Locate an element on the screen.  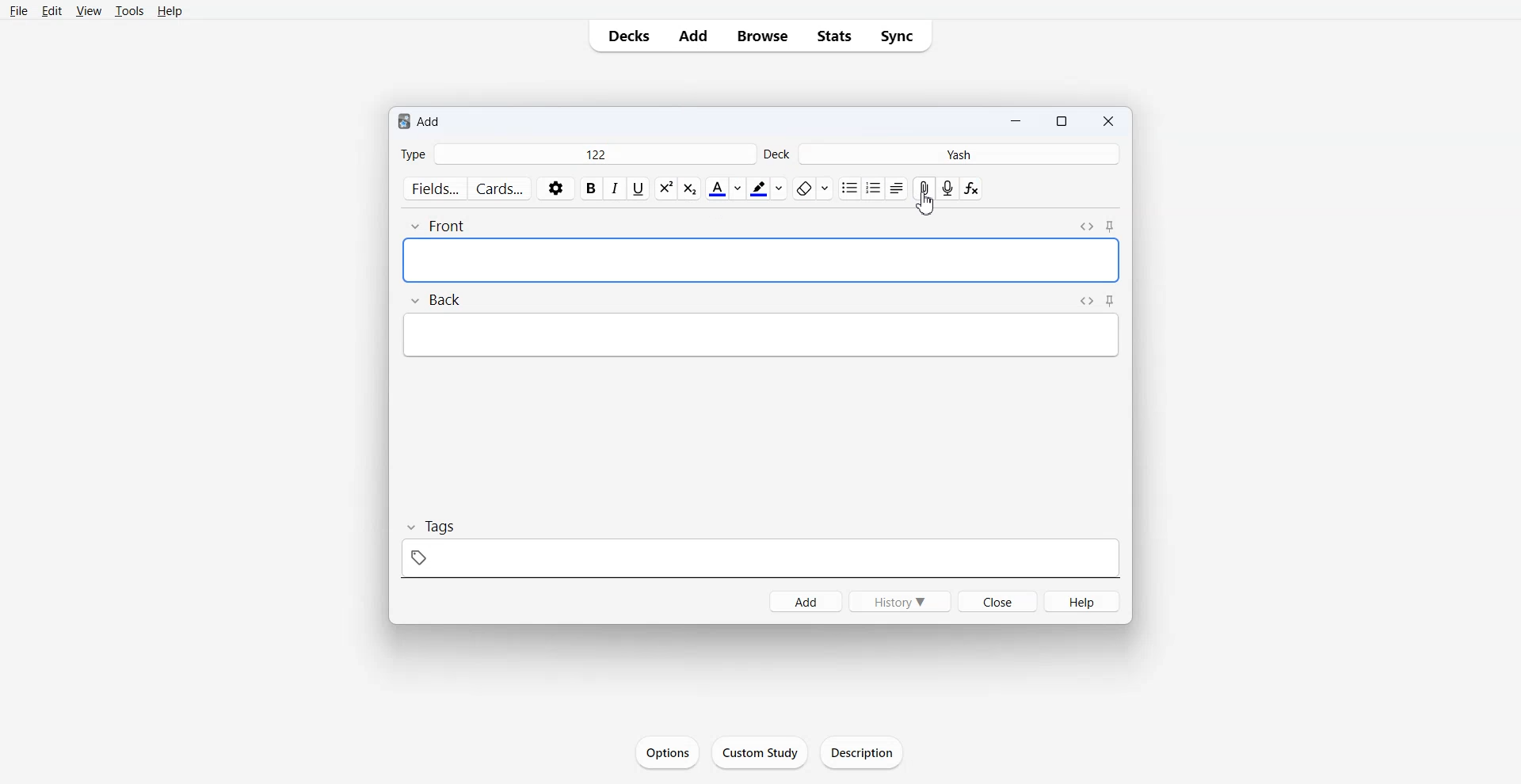
typing space is located at coordinates (760, 335).